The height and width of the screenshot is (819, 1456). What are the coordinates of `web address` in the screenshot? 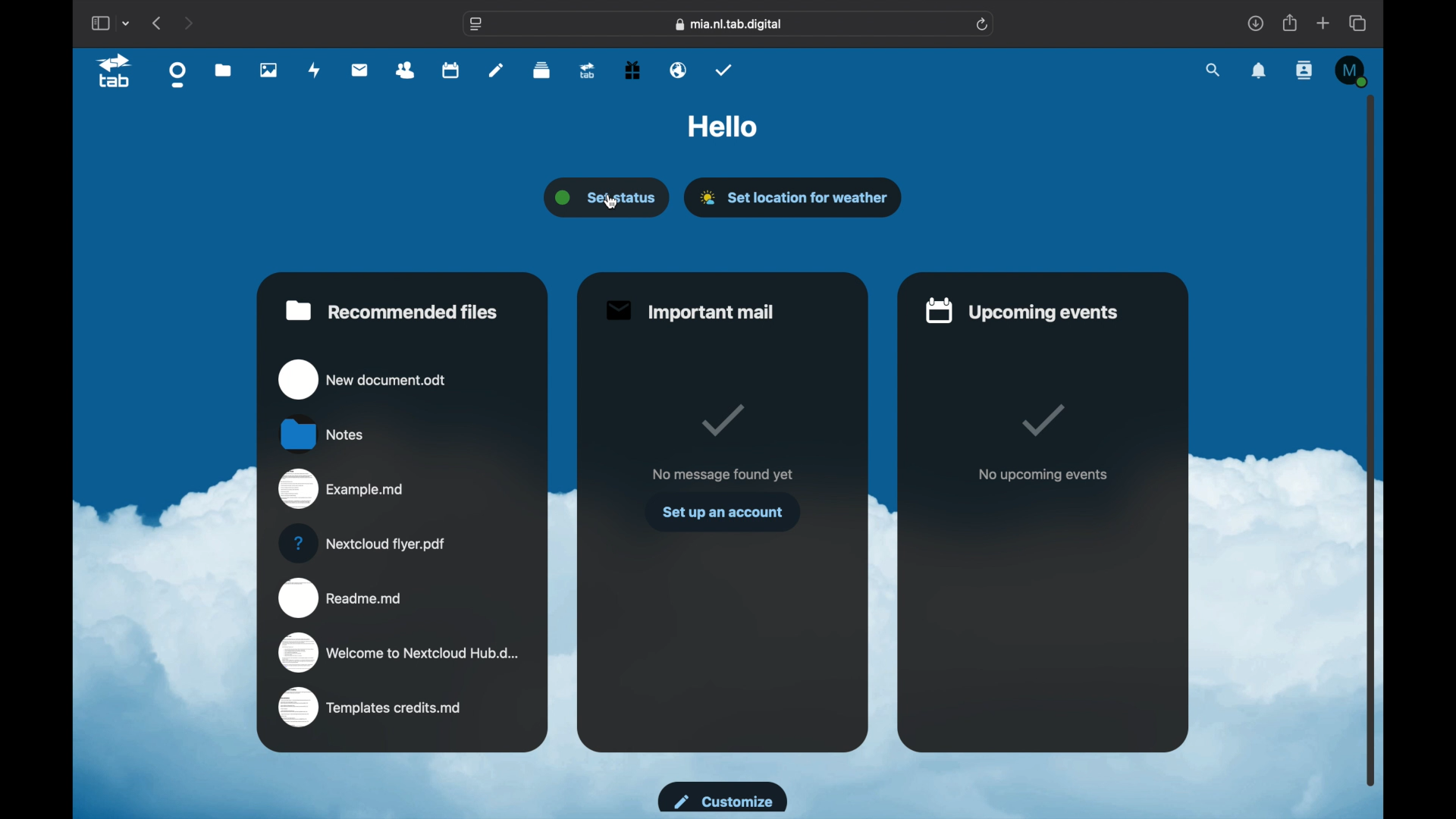 It's located at (729, 24).